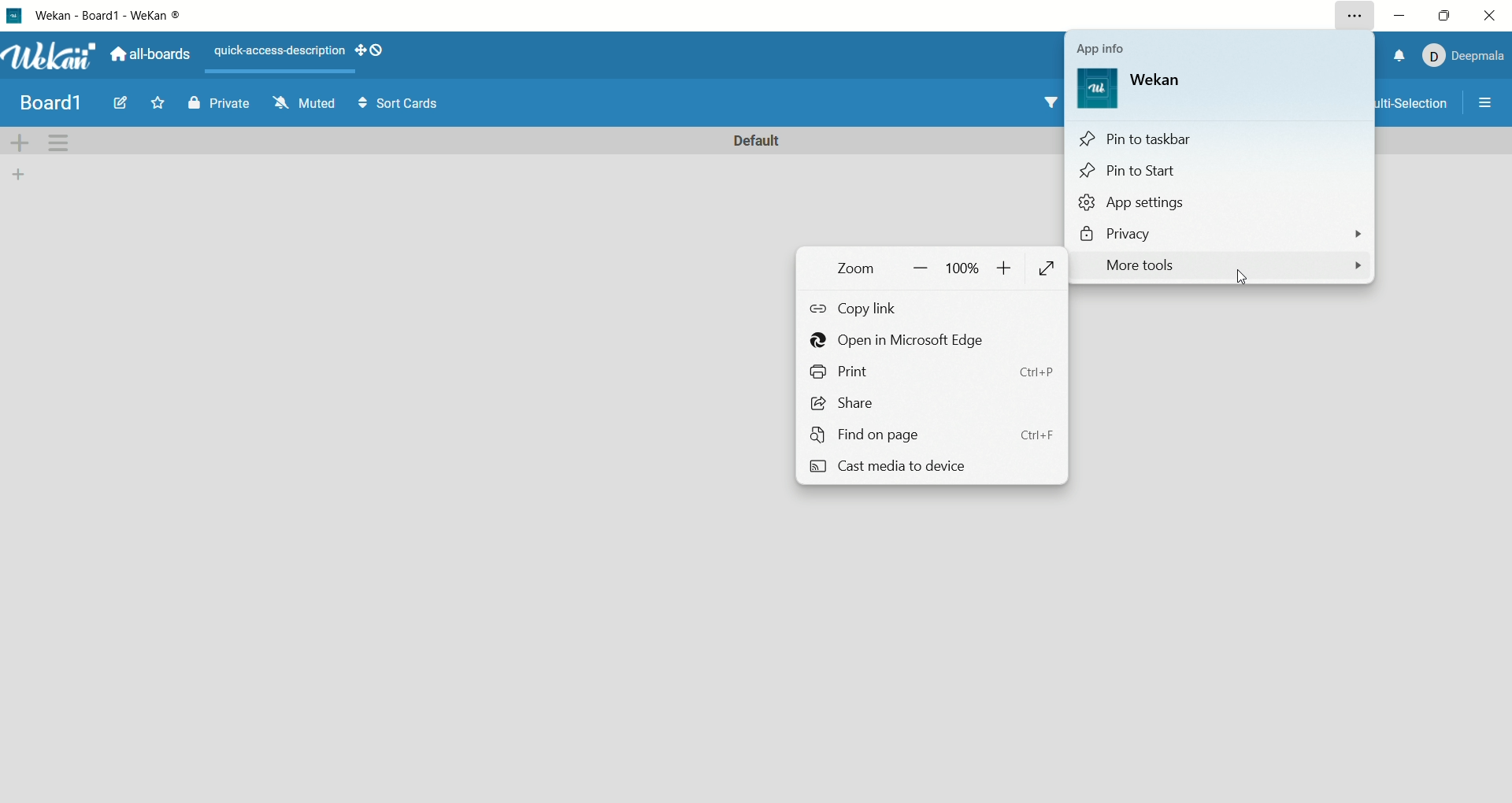 This screenshot has height=803, width=1512. I want to click on pin to task bar, so click(1221, 139).